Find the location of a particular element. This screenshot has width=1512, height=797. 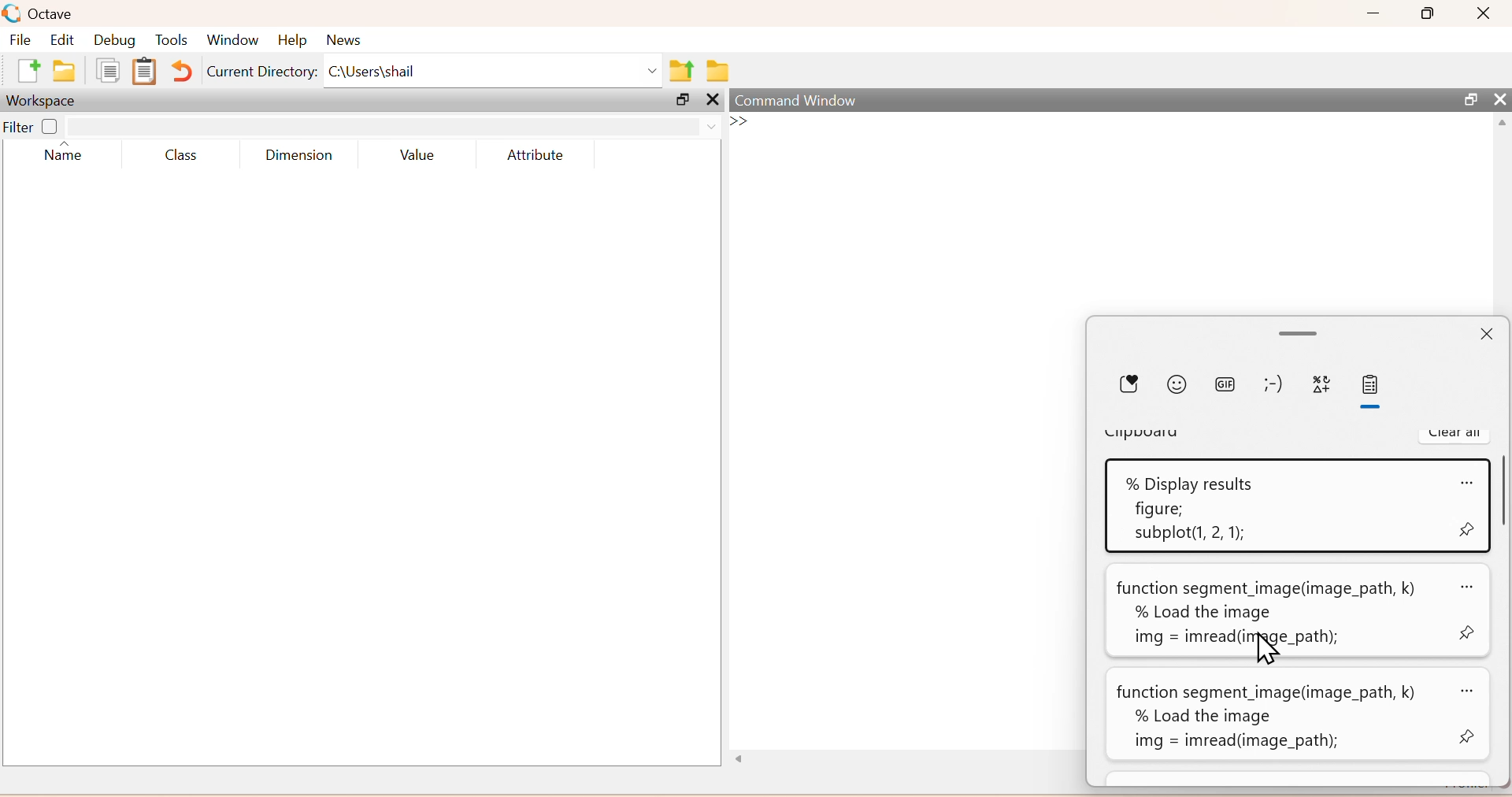

Maximize is located at coordinates (680, 100).